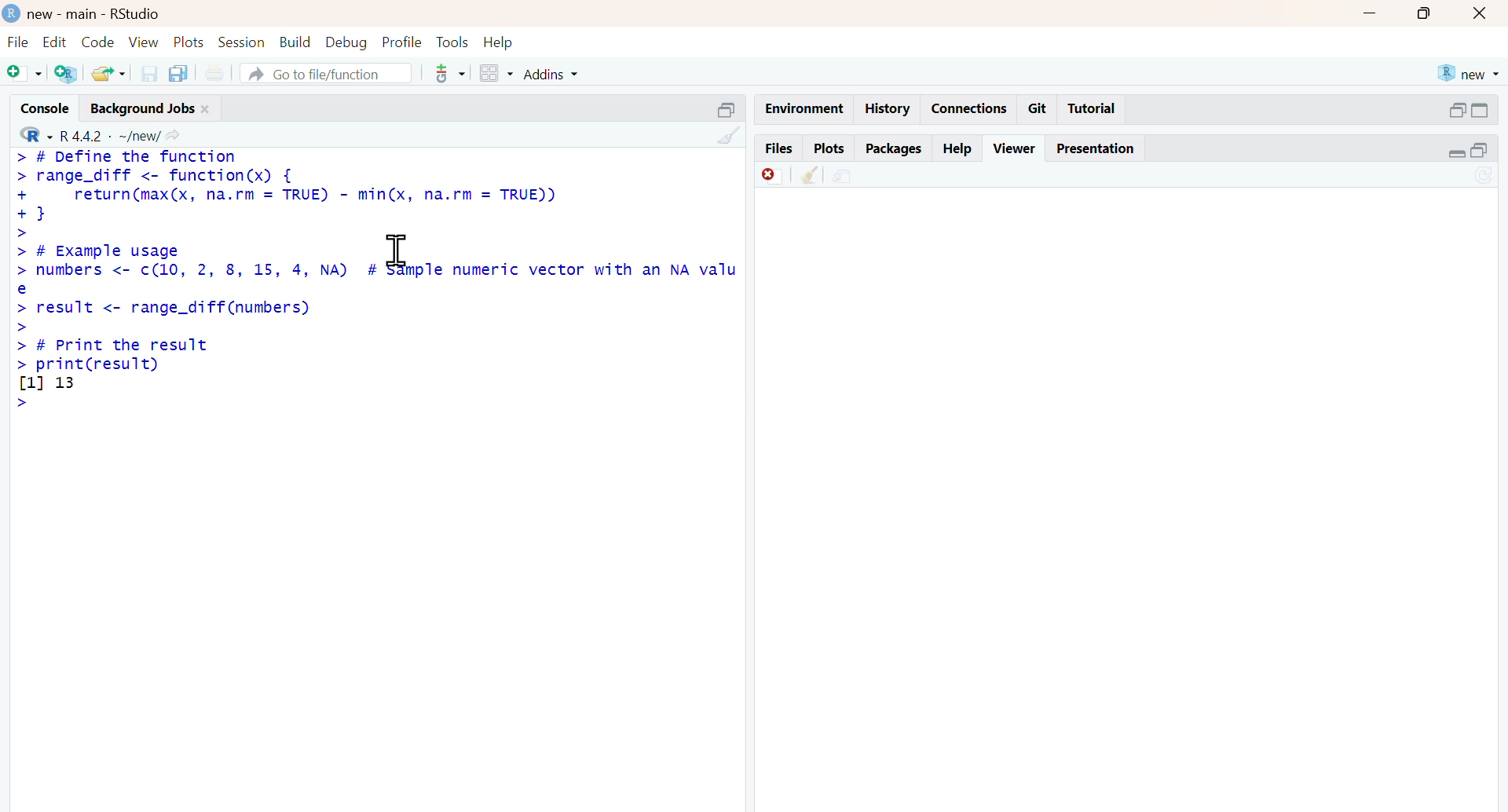  I want to click on history, so click(888, 108).